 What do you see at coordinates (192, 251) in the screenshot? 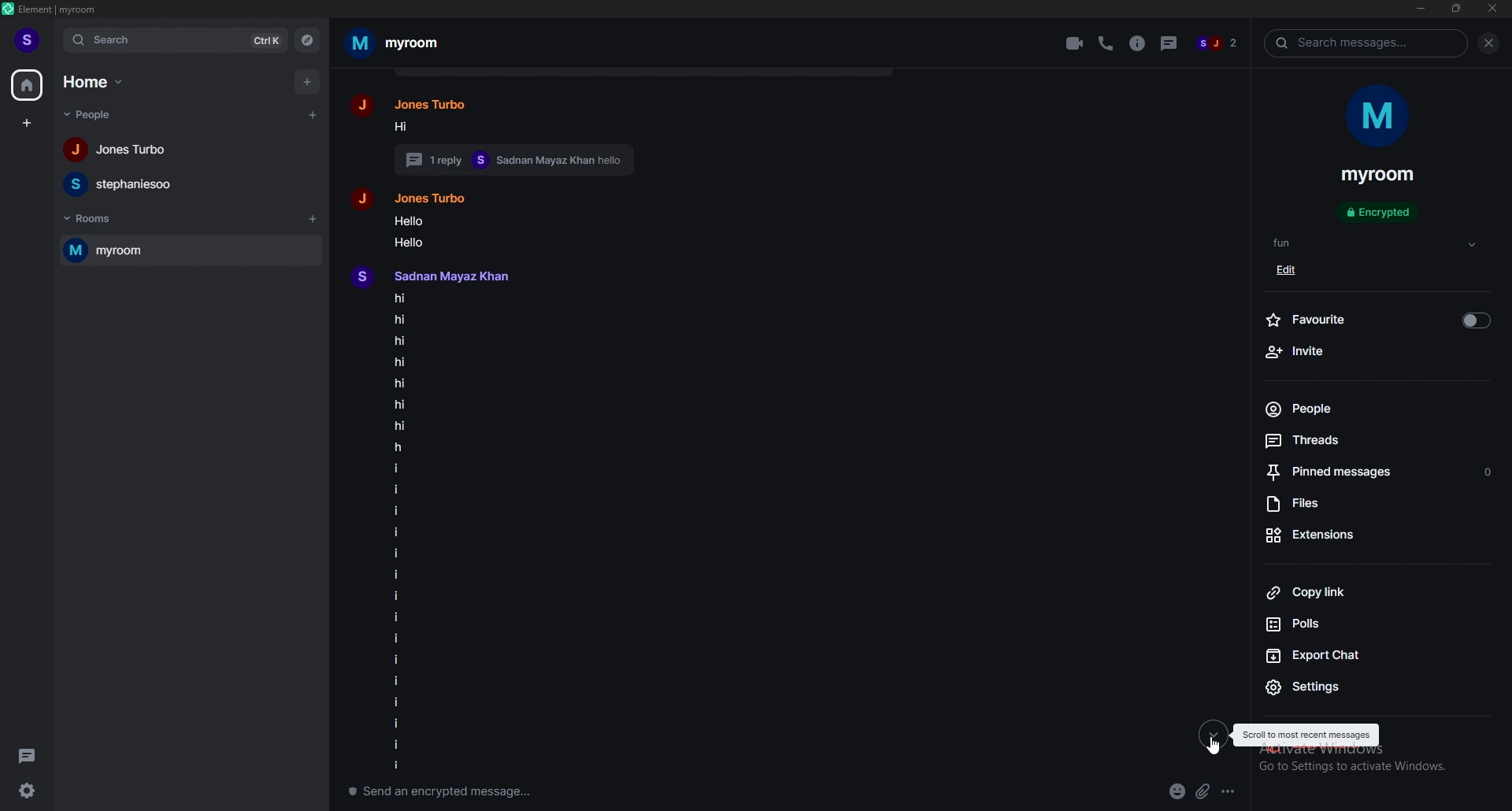
I see `myroom` at bounding box center [192, 251].